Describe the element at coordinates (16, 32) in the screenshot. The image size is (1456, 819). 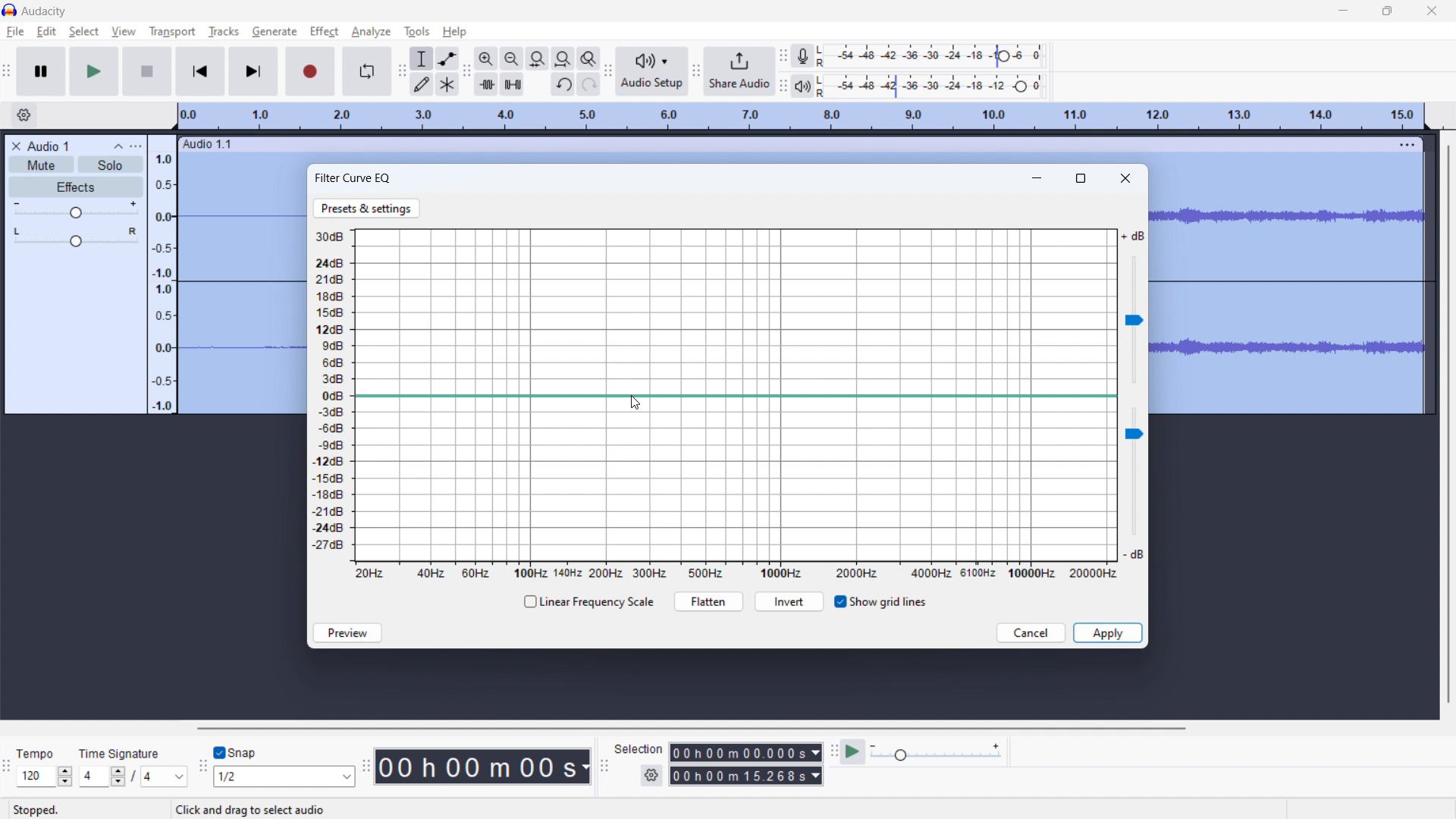
I see `file` at that location.